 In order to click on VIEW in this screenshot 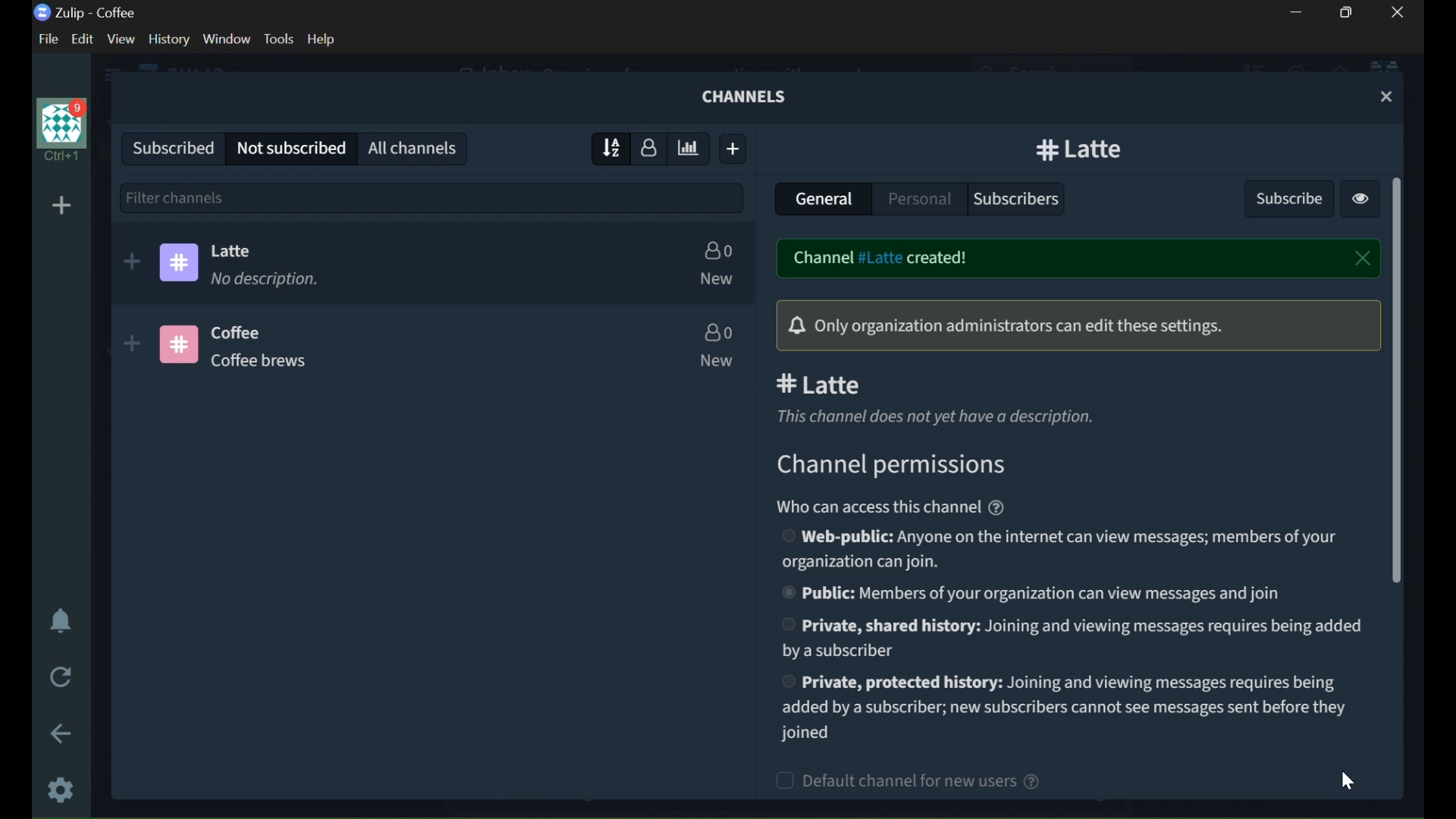, I will do `click(1360, 201)`.